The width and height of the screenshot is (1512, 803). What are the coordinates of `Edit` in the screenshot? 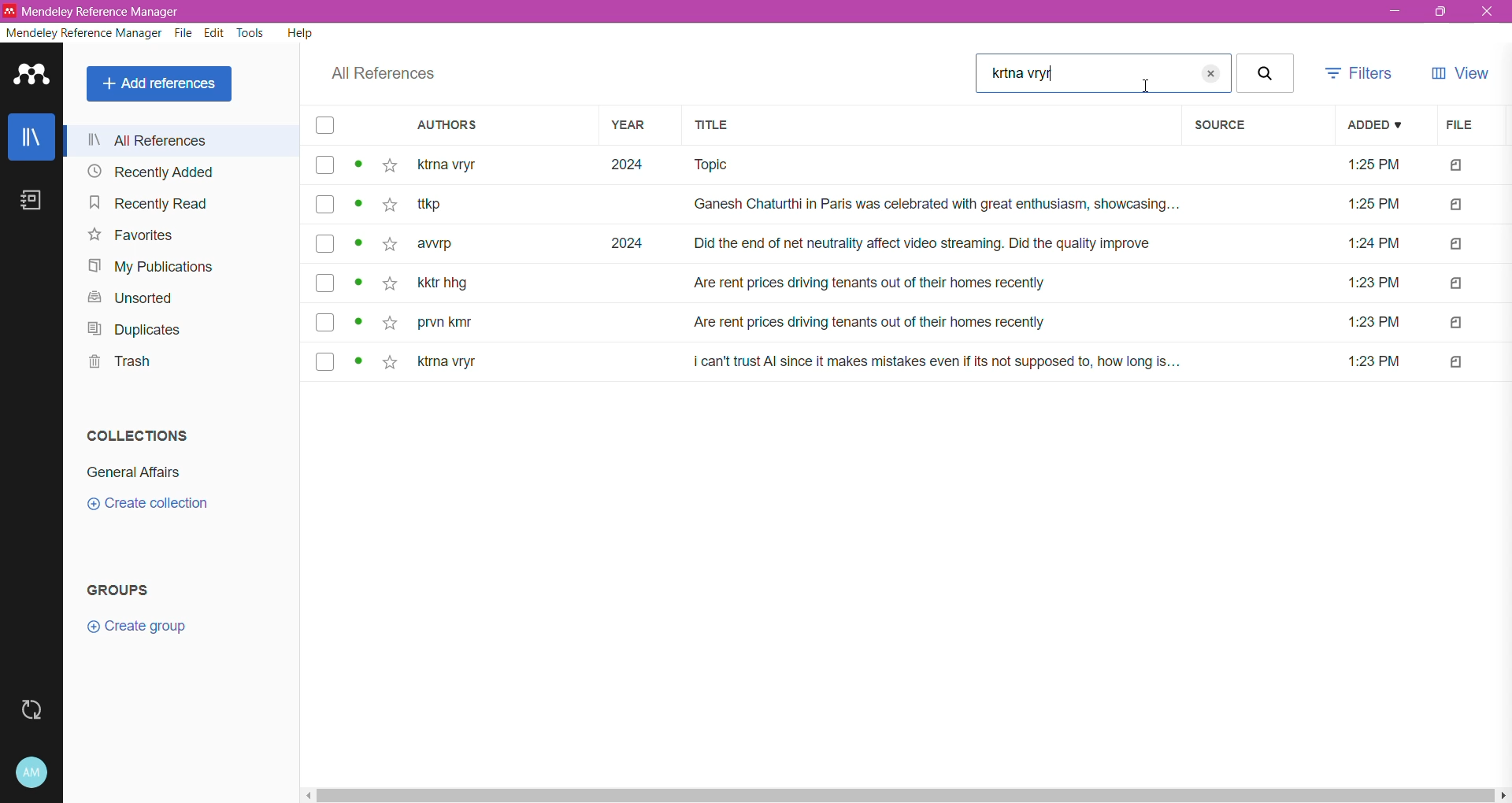 It's located at (215, 34).